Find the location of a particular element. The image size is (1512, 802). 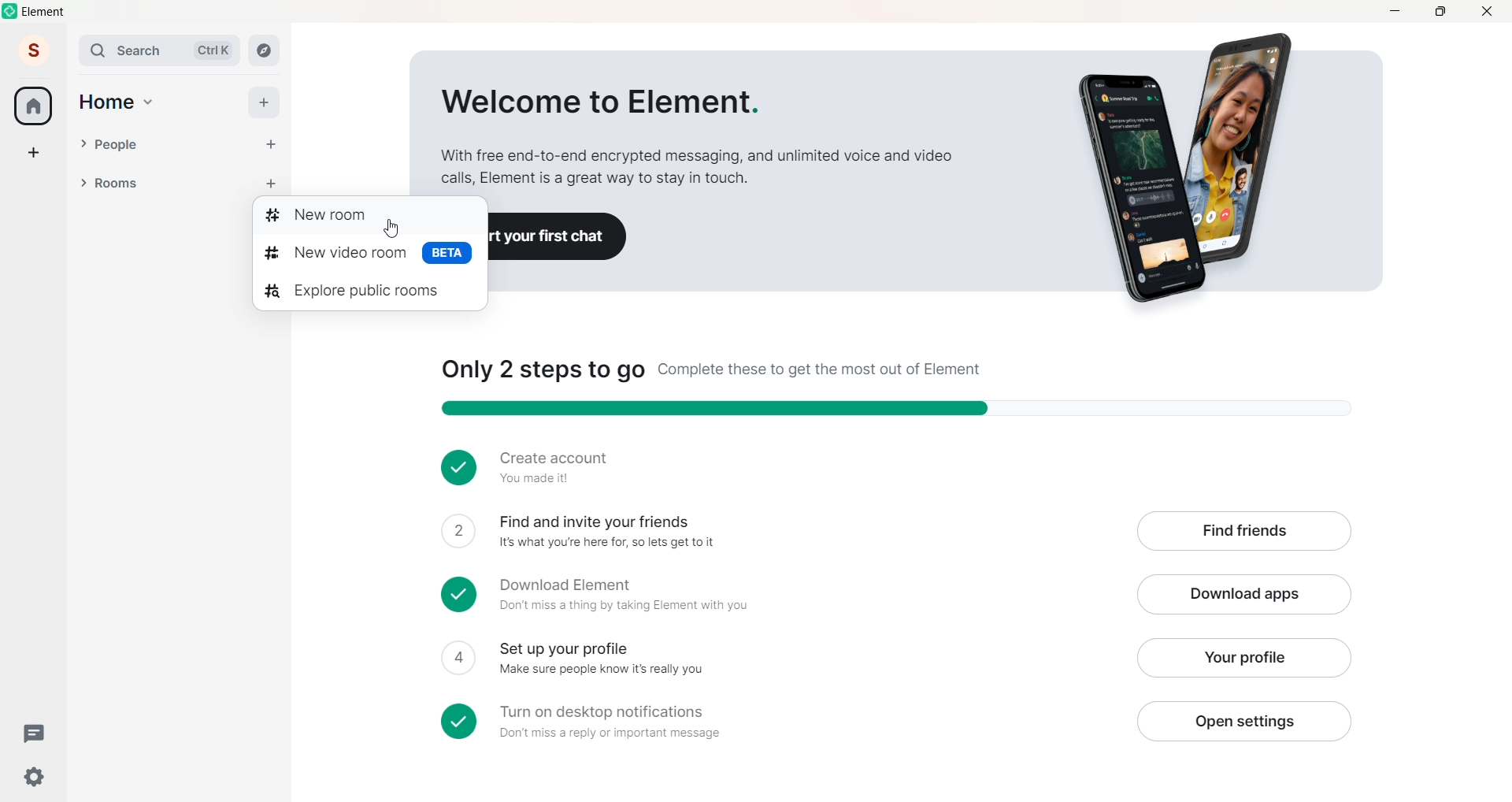

Home is located at coordinates (33, 106).